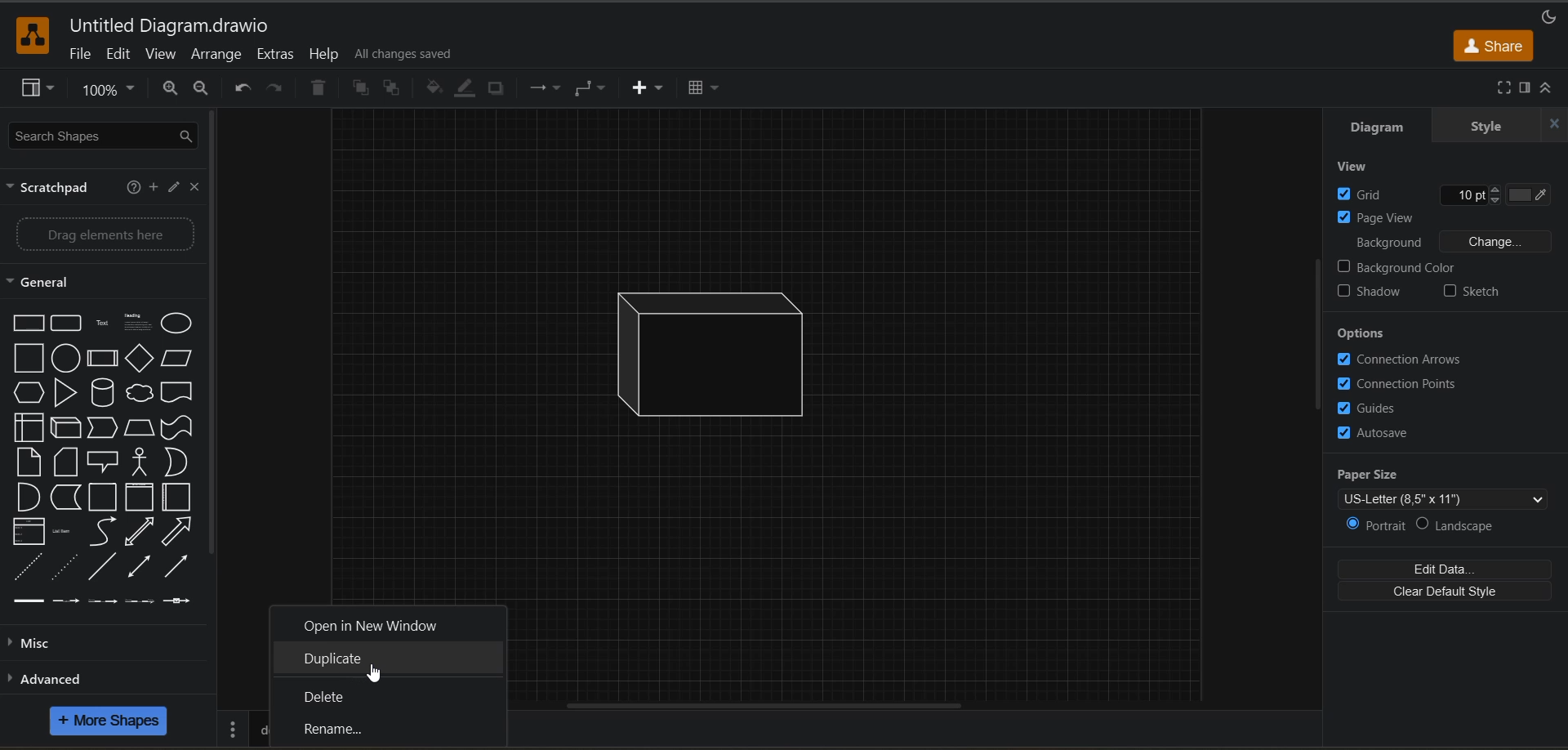 Image resolution: width=1568 pixels, height=750 pixels. Describe the element at coordinates (1468, 195) in the screenshot. I see `Grid size` at that location.